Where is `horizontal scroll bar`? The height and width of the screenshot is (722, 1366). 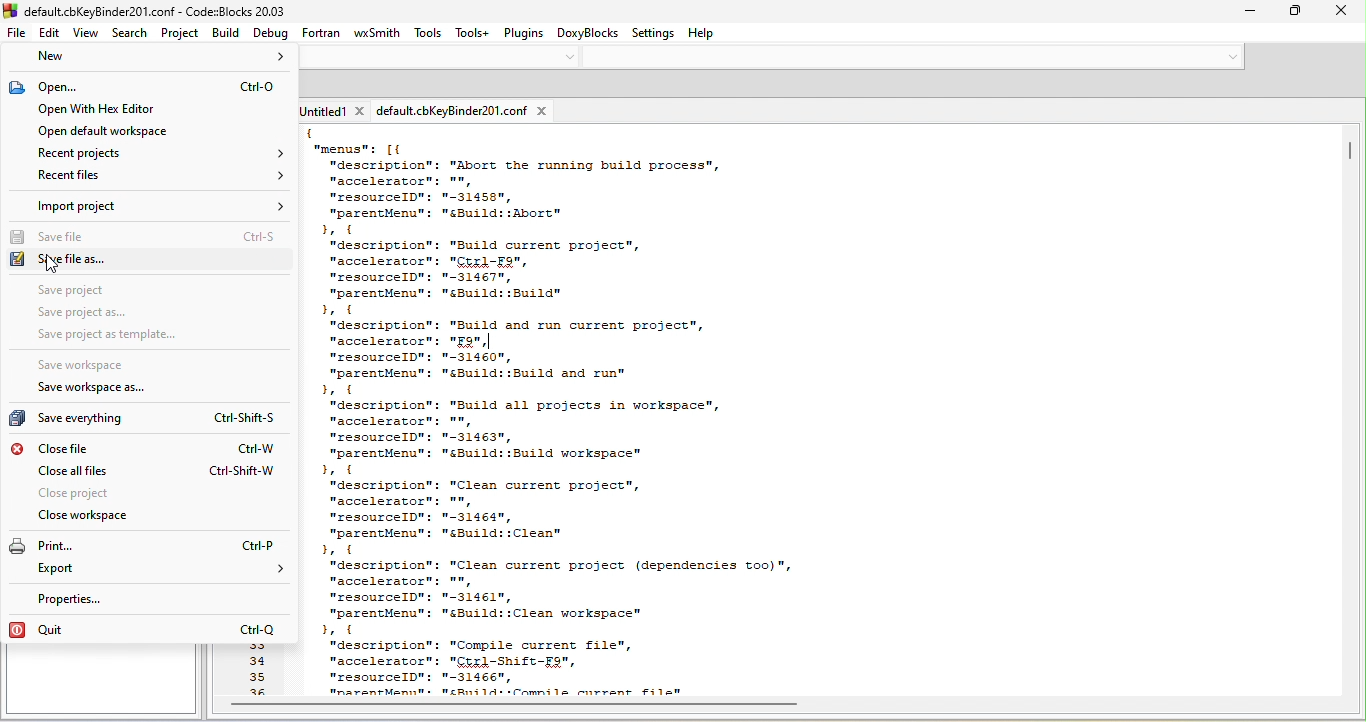
horizontal scroll bar is located at coordinates (514, 705).